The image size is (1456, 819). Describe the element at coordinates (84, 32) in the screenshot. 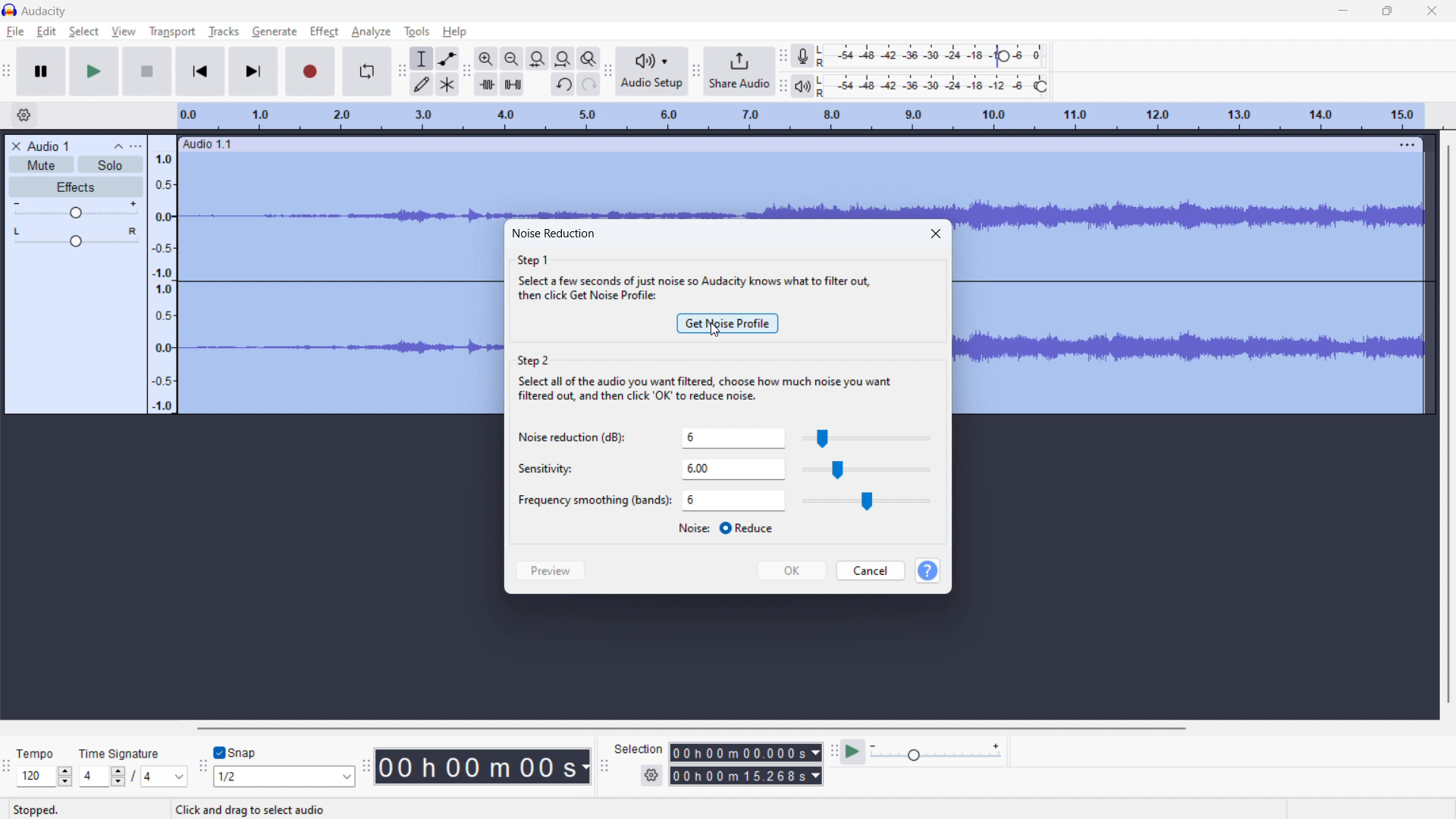

I see `select` at that location.